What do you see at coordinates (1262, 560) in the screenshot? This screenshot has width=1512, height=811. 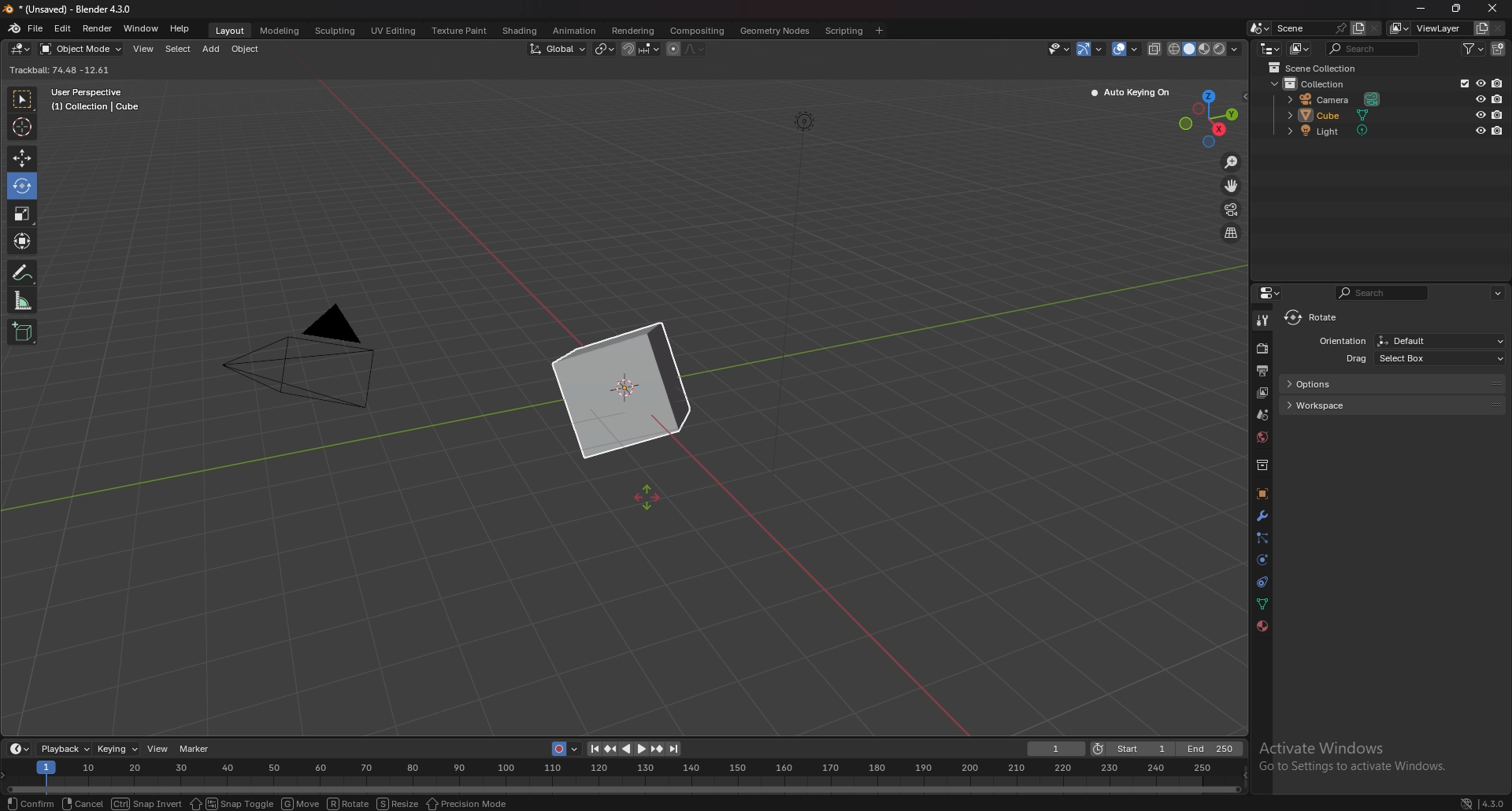 I see `physics` at bounding box center [1262, 560].